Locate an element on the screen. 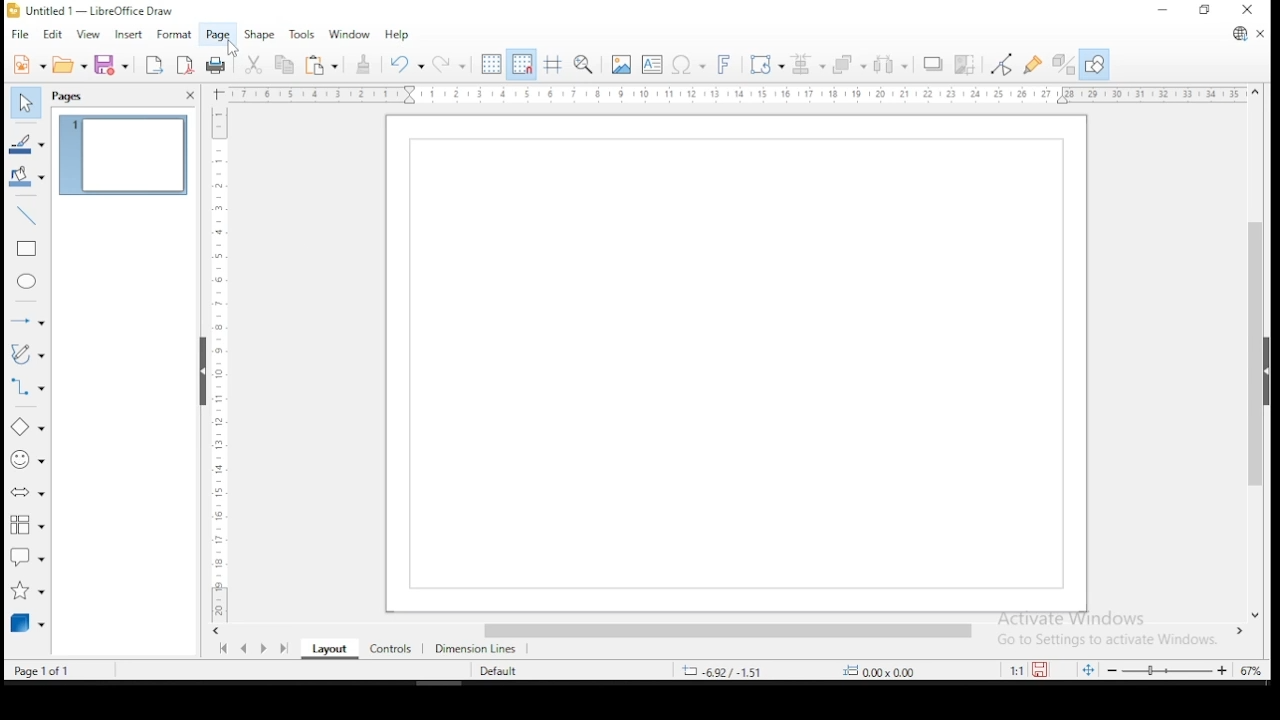  -6.92/-1.51 is located at coordinates (729, 670).